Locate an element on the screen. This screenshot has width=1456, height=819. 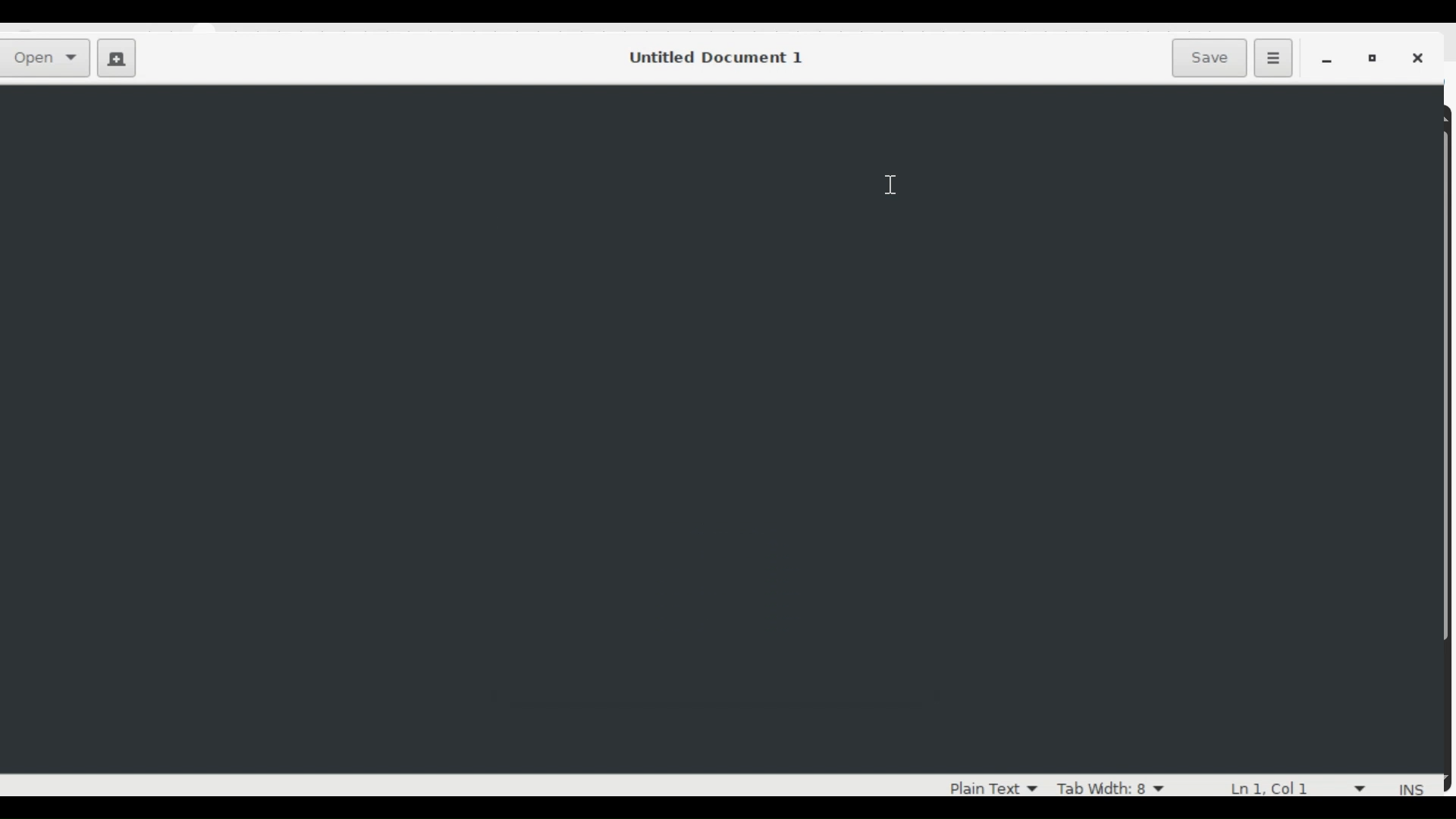
plan Text is located at coordinates (984, 786).